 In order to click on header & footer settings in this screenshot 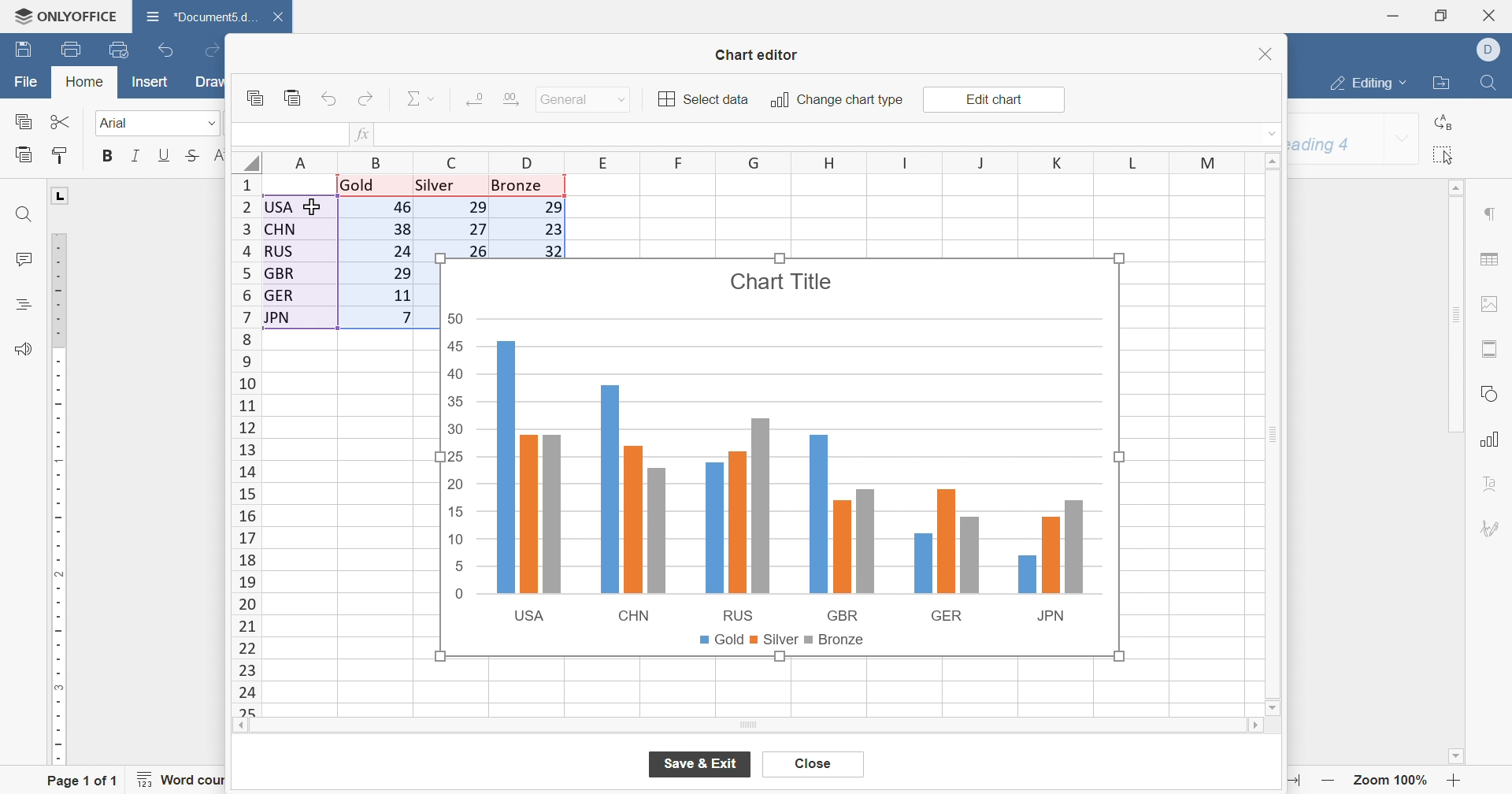, I will do `click(1492, 350)`.